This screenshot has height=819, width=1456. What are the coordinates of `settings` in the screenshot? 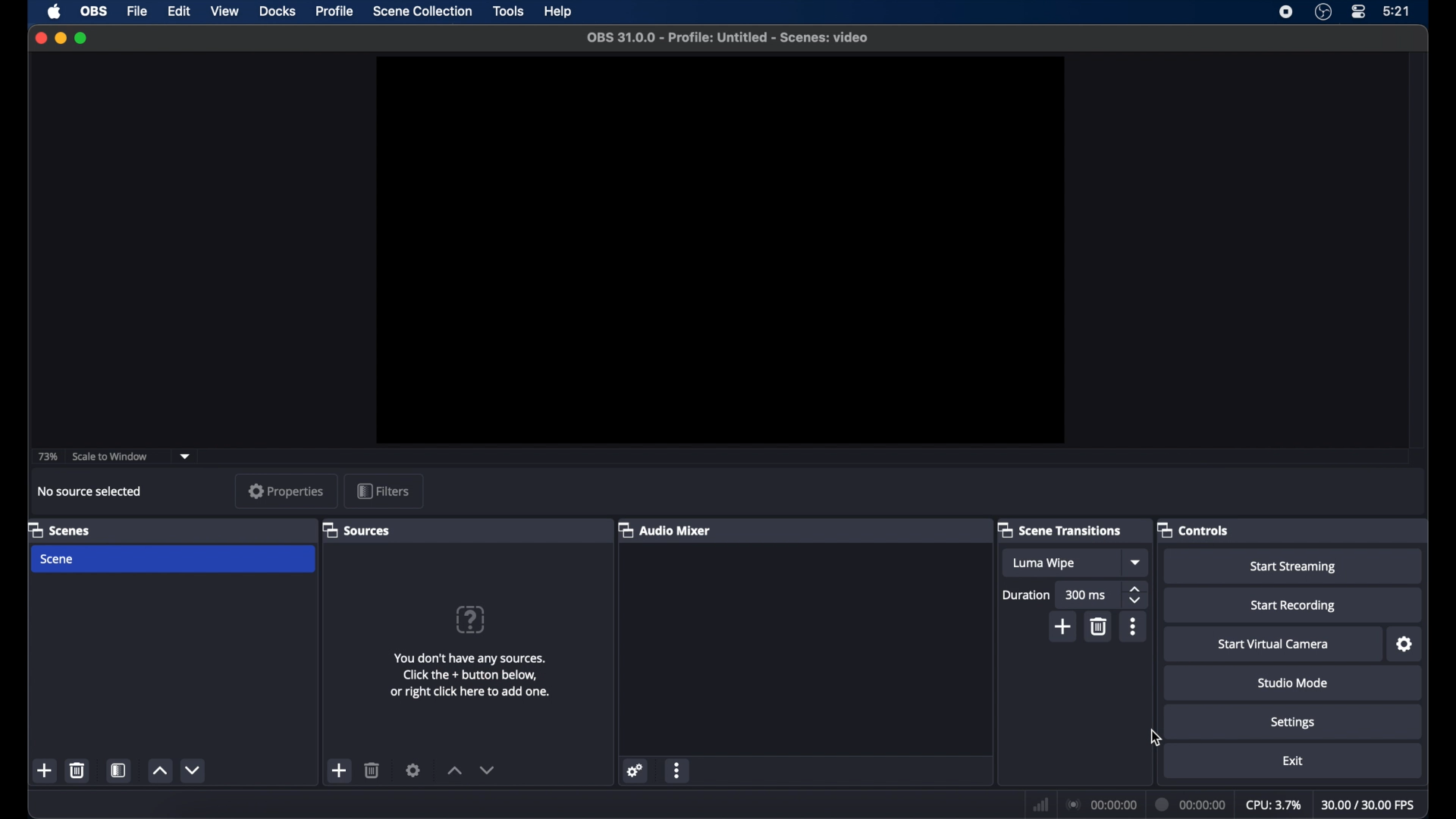 It's located at (1405, 645).